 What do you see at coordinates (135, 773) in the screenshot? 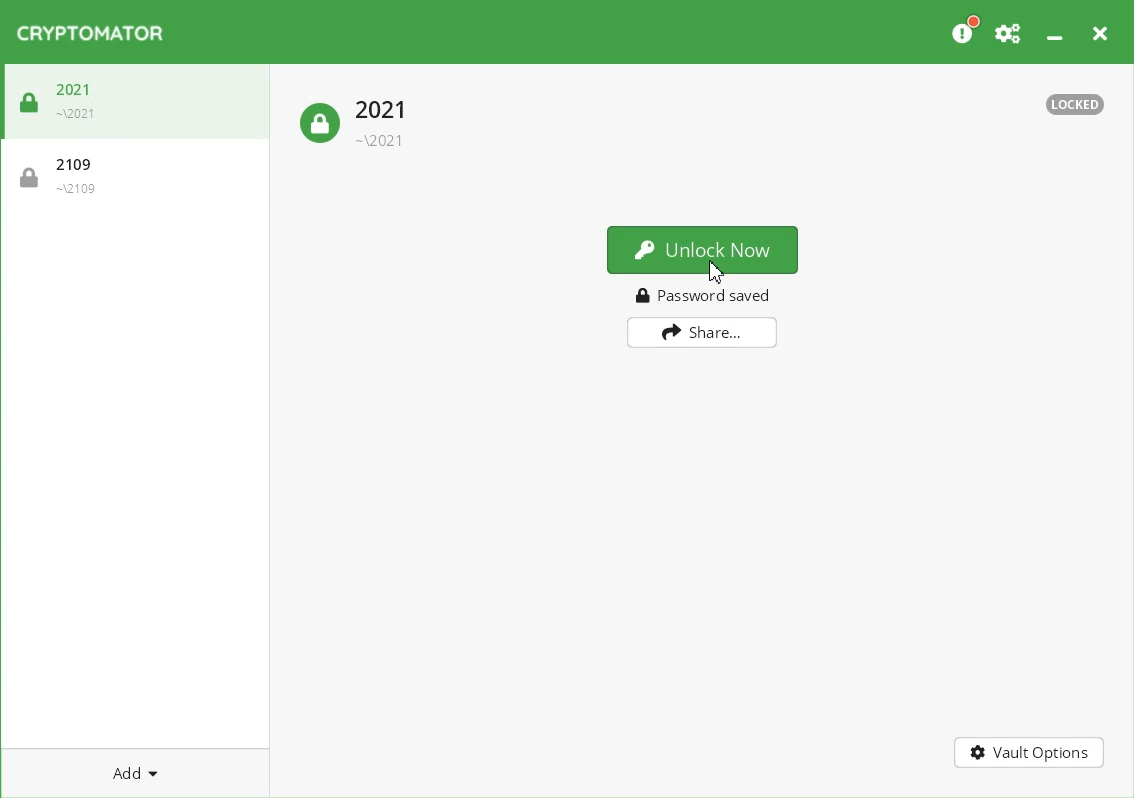
I see `Add` at bounding box center [135, 773].